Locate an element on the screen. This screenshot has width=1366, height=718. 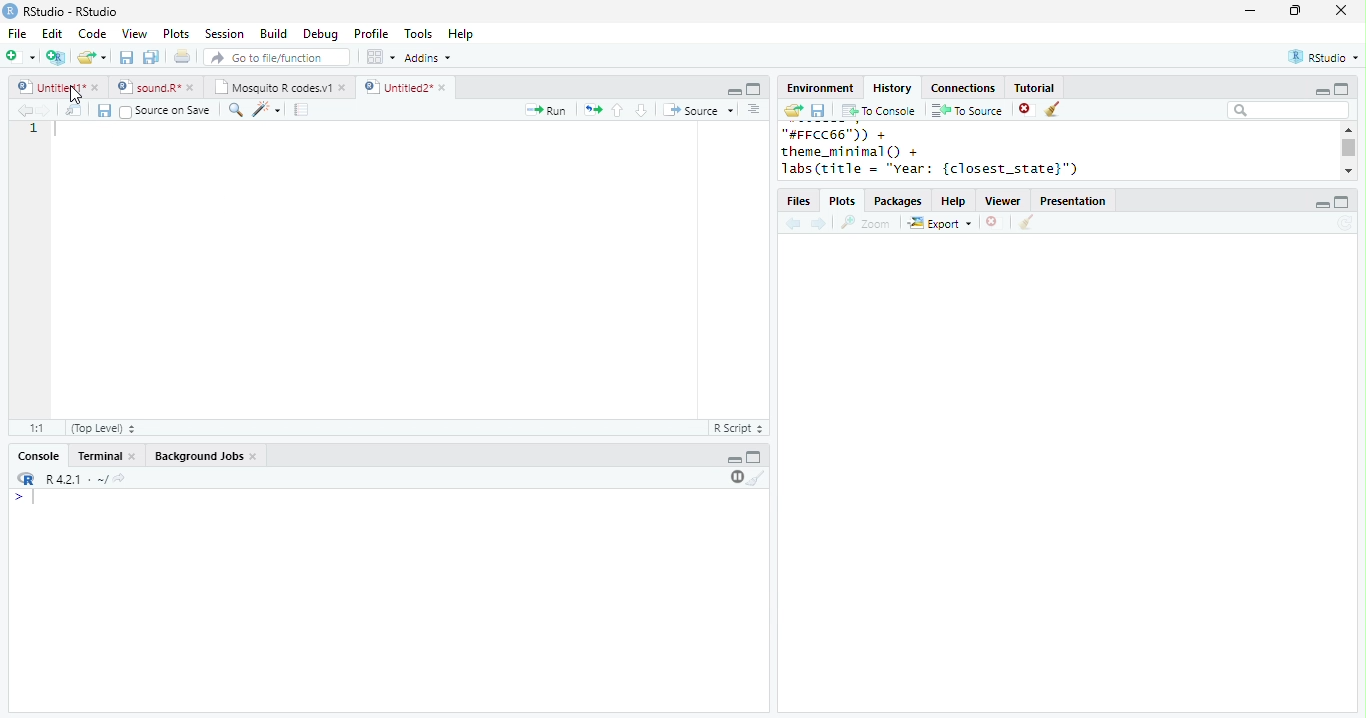
close is located at coordinates (134, 457).